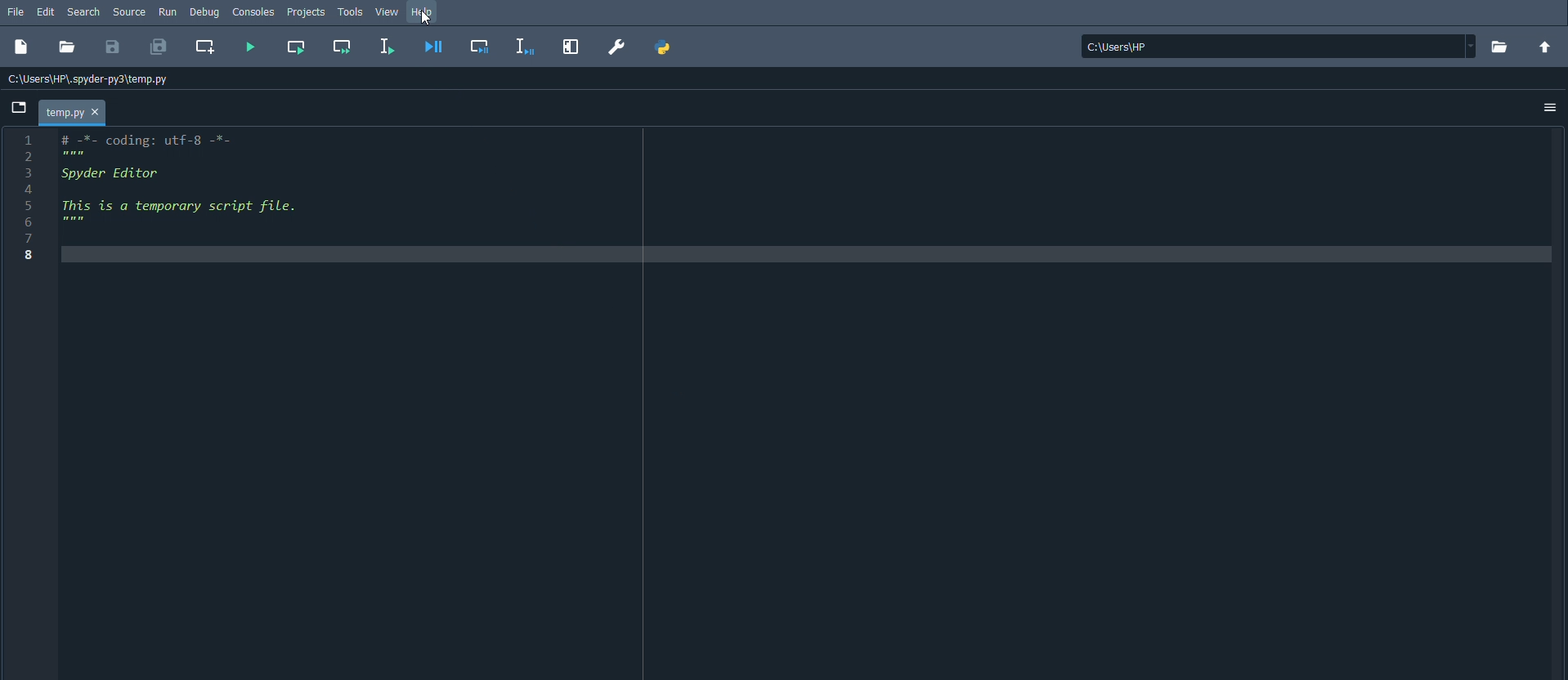  Describe the element at coordinates (295, 47) in the screenshot. I see `Run current cell` at that location.